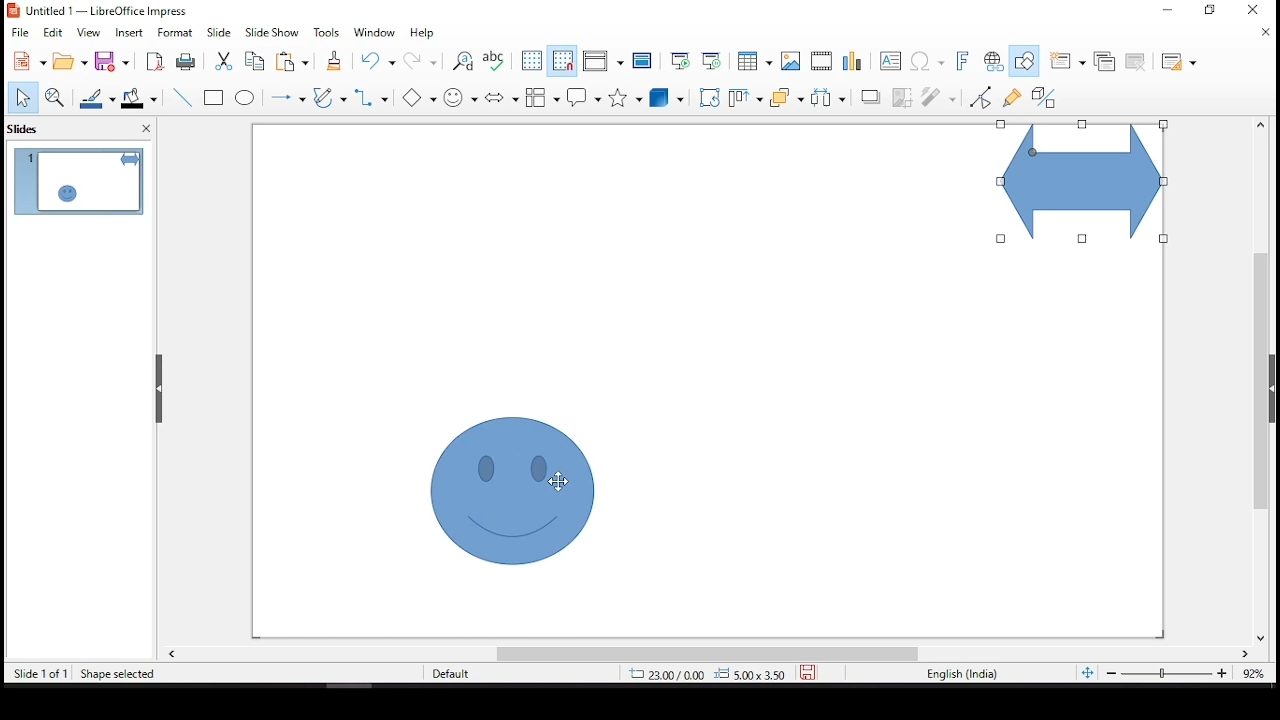  Describe the element at coordinates (903, 95) in the screenshot. I see `crop image` at that location.